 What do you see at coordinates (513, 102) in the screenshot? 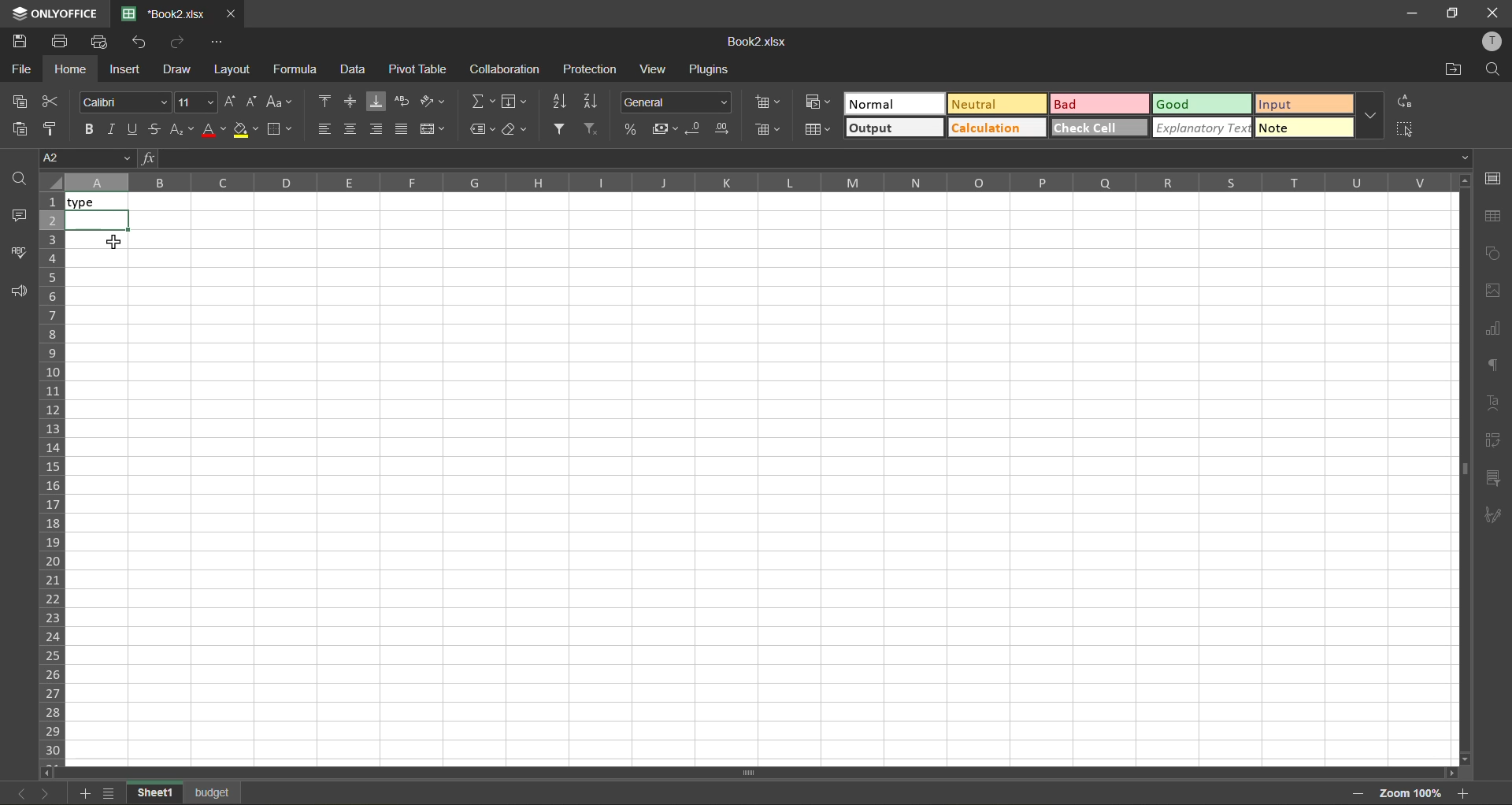
I see `fields` at bounding box center [513, 102].